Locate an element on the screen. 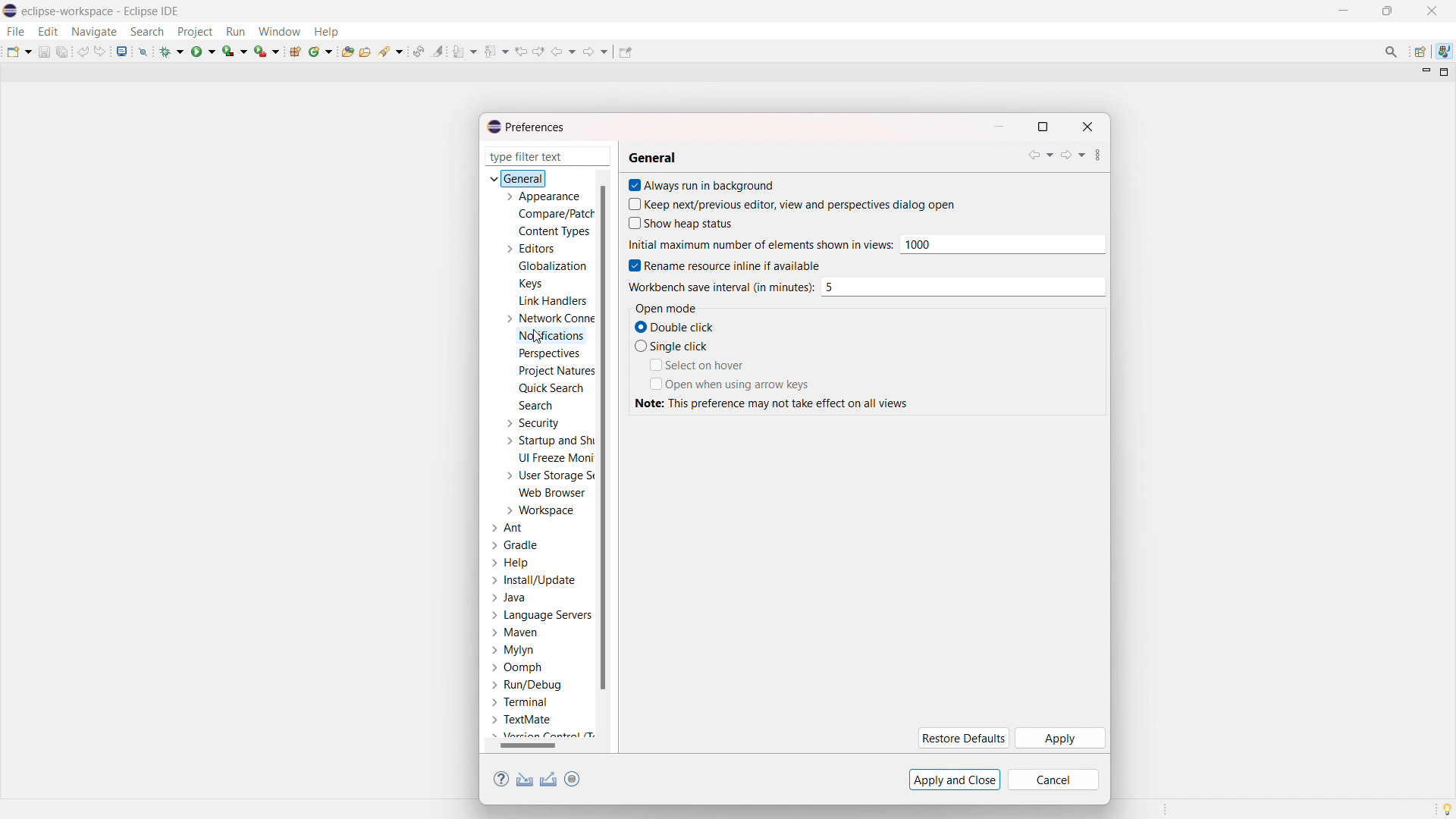 Image resolution: width=1456 pixels, height=819 pixels. notifications is located at coordinates (552, 337).